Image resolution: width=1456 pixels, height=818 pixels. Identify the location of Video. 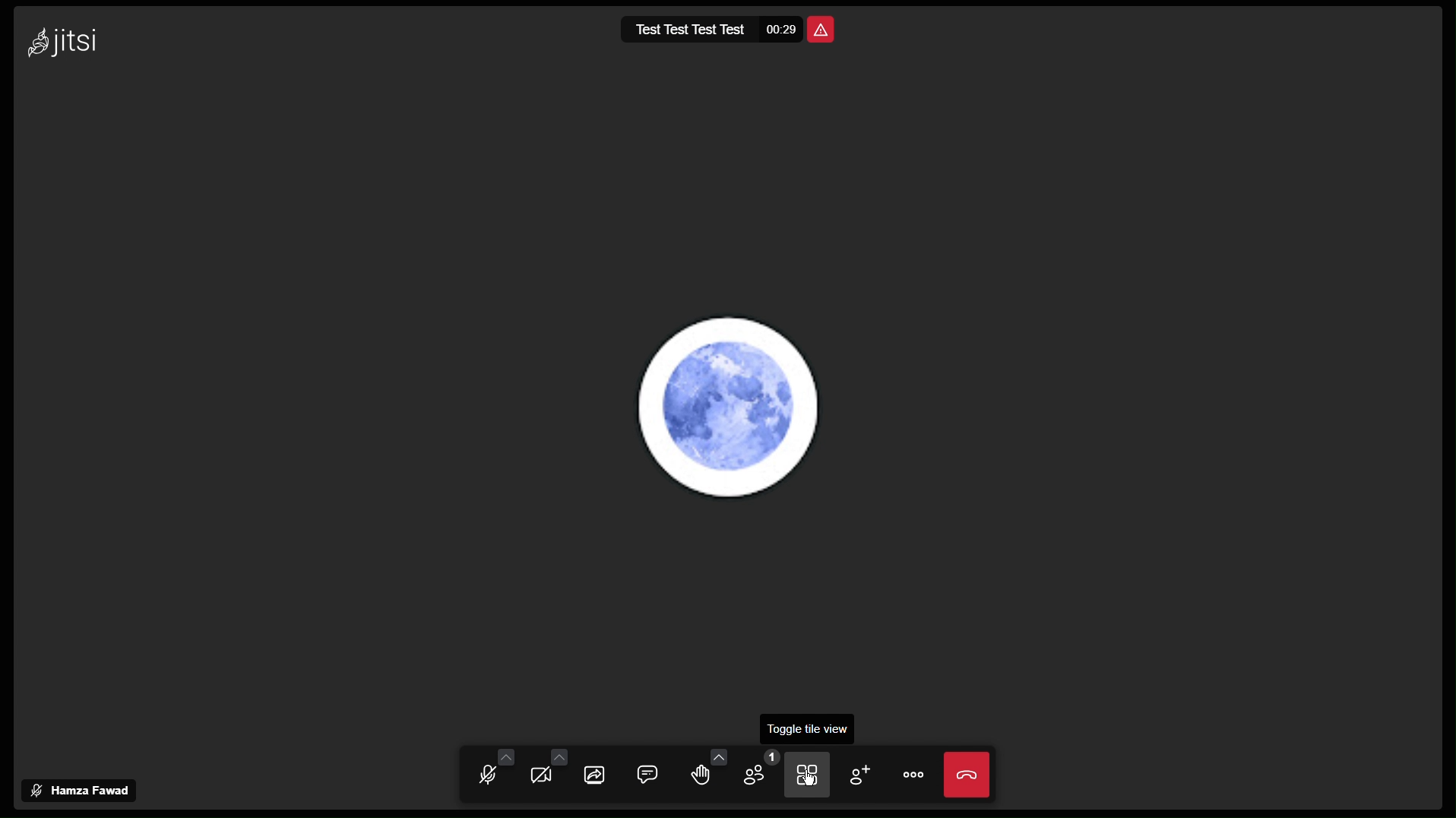
(545, 774).